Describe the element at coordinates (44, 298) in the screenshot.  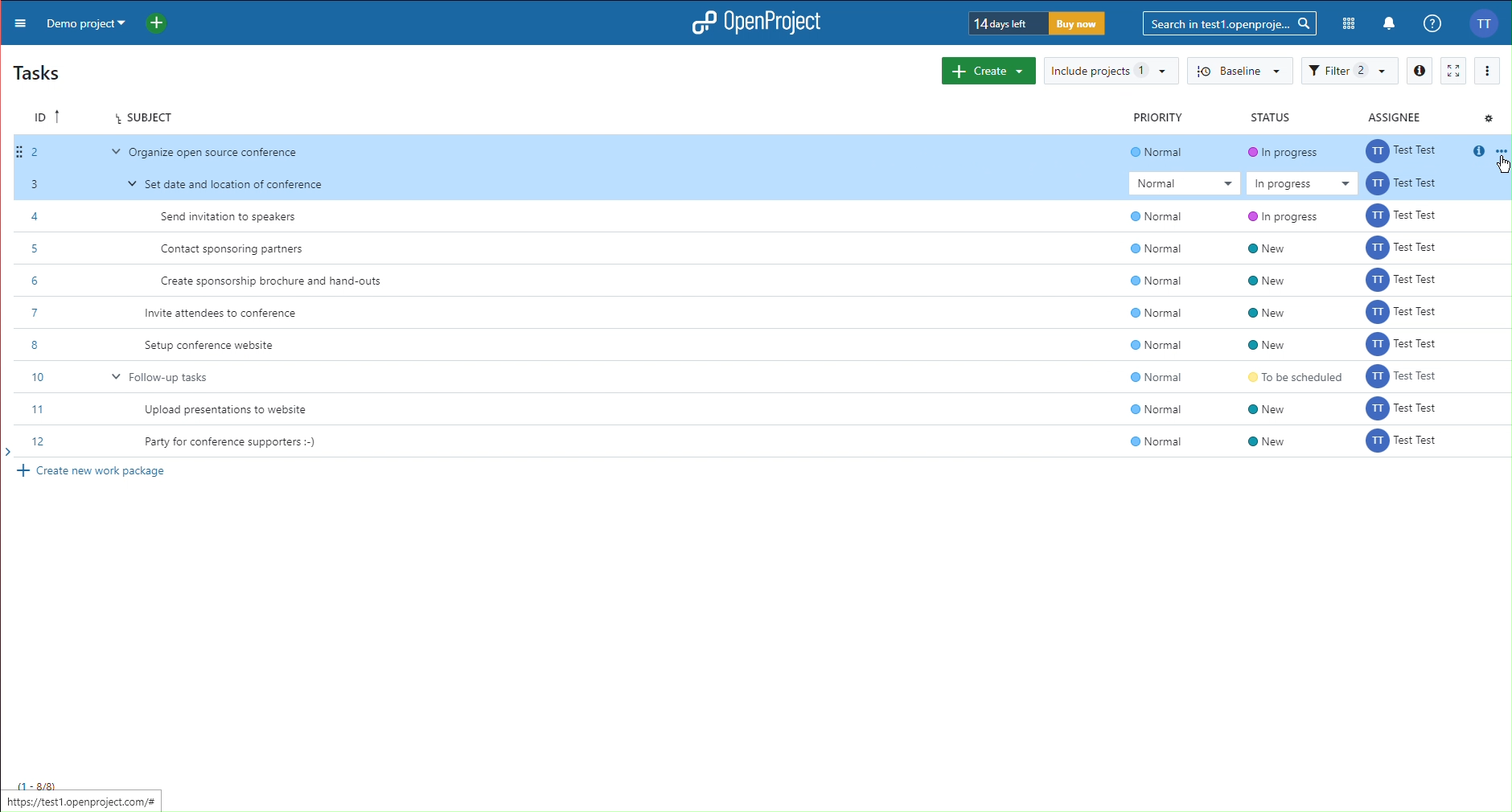
I see `Task IDs` at that location.